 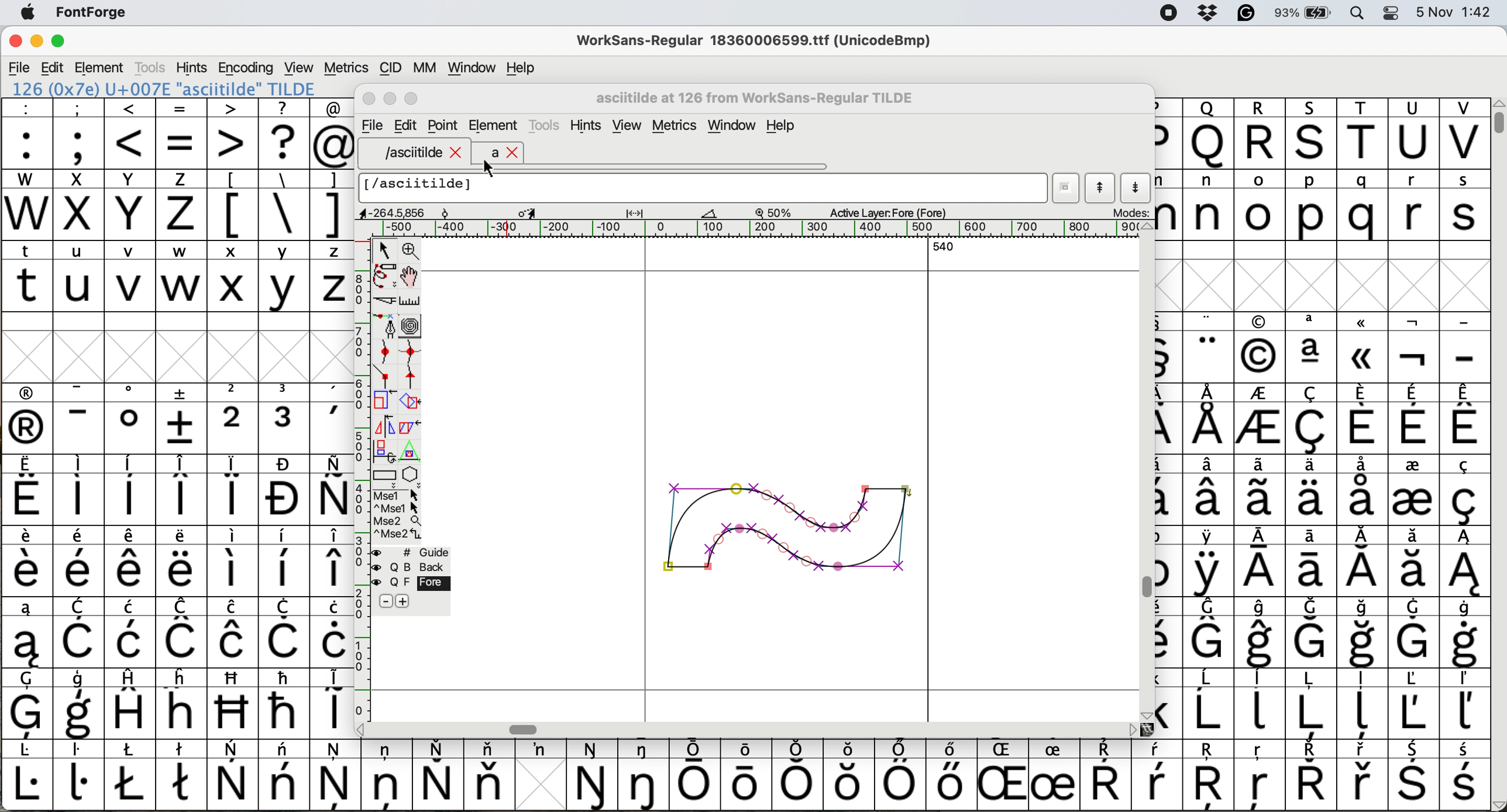 I want to click on symbol, so click(x=1315, y=489).